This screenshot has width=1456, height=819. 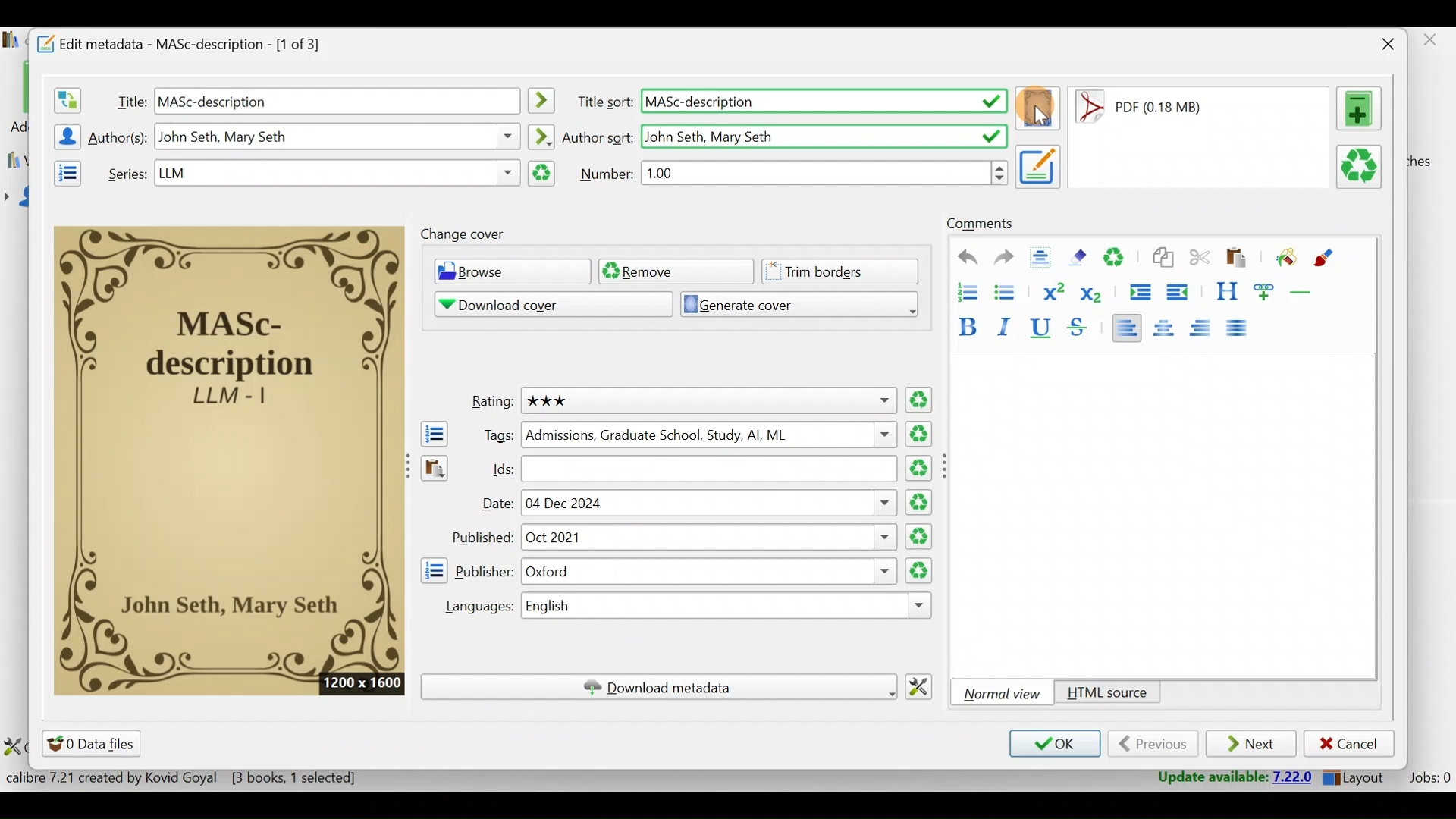 What do you see at coordinates (1306, 292) in the screenshot?
I see `Insert separator` at bounding box center [1306, 292].